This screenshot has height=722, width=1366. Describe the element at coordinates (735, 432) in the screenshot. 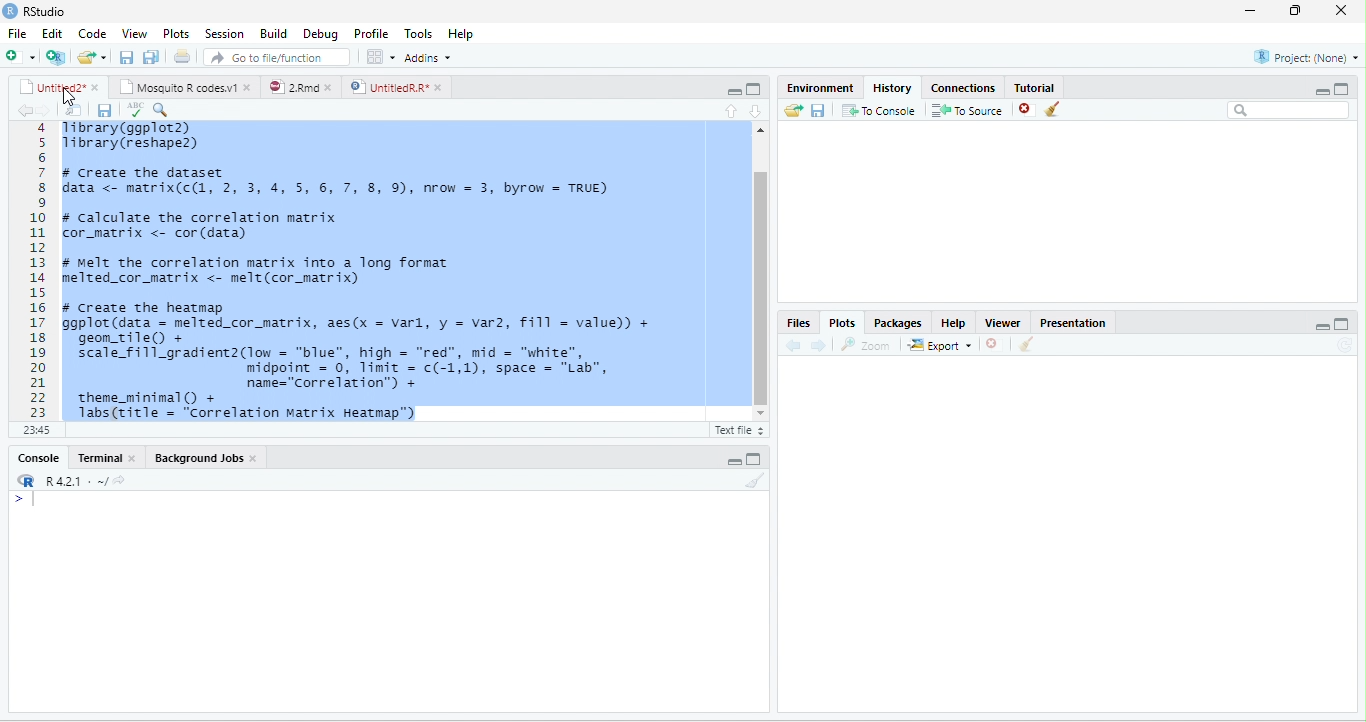

I see `R SCRIPT` at that location.